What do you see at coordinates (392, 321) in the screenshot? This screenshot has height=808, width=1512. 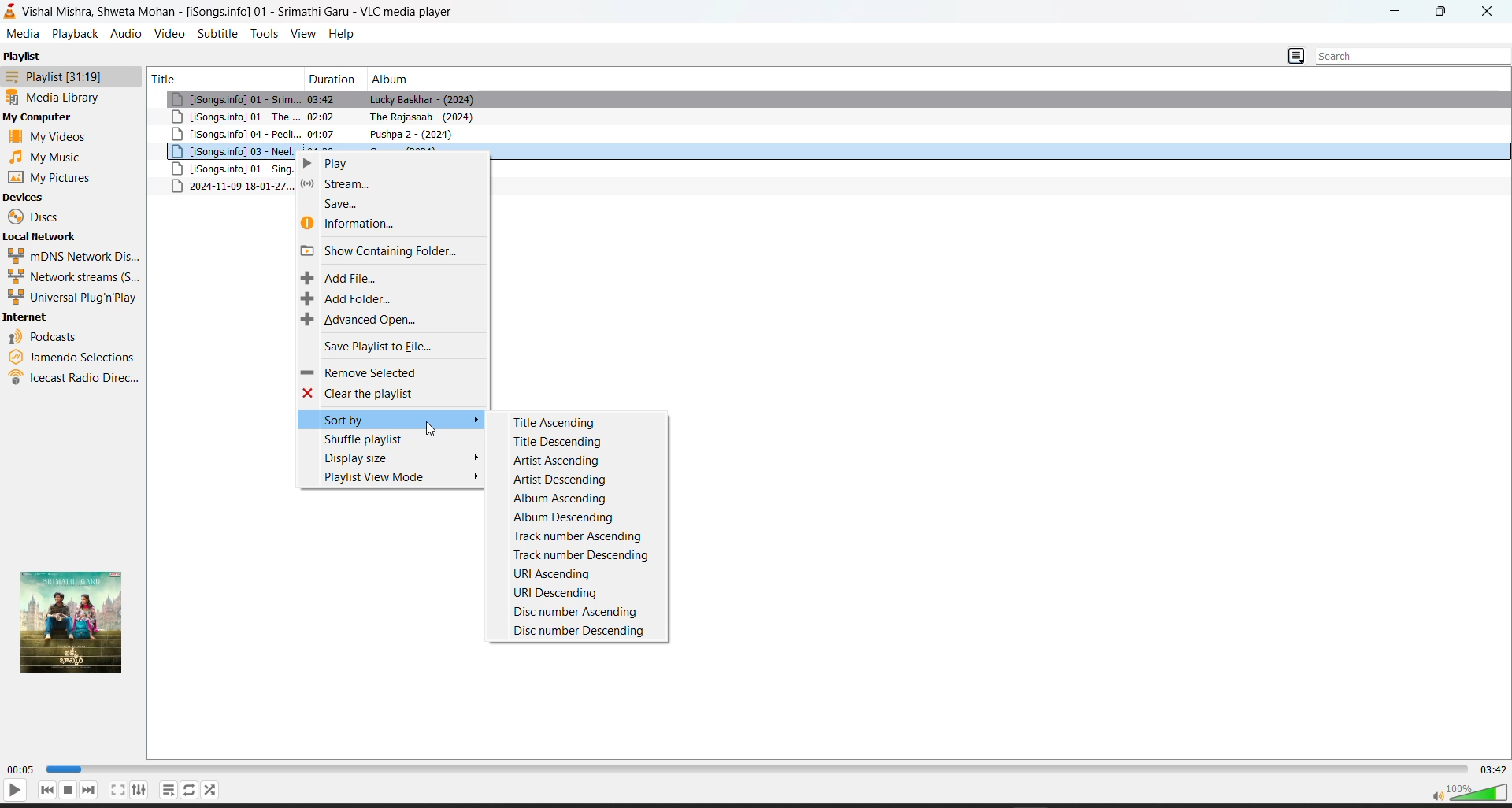 I see `advanced open` at bounding box center [392, 321].